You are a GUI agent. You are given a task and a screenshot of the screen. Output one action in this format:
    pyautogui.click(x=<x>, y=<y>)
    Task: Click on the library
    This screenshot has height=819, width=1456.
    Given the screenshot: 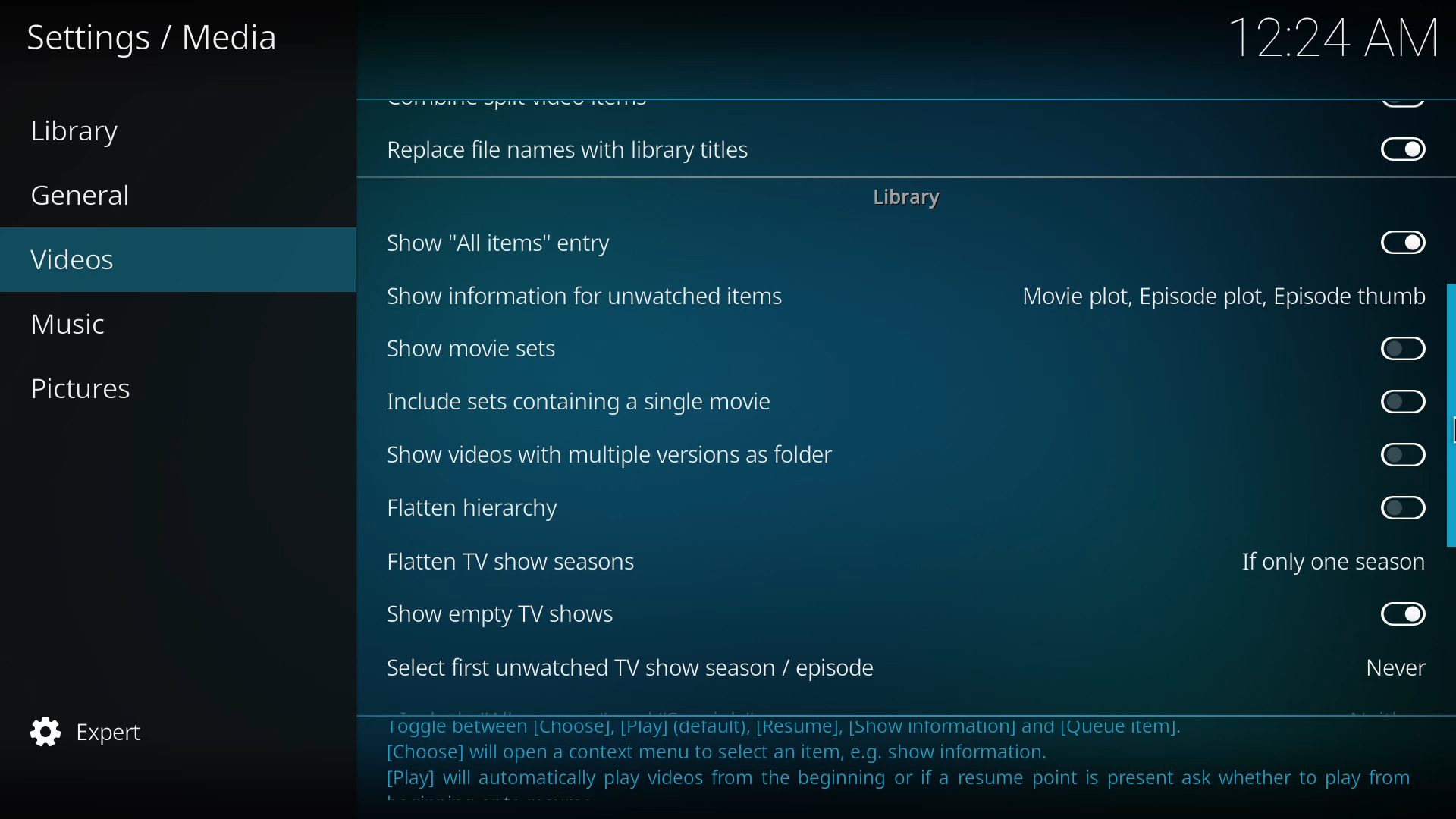 What is the action you would take?
    pyautogui.click(x=89, y=132)
    